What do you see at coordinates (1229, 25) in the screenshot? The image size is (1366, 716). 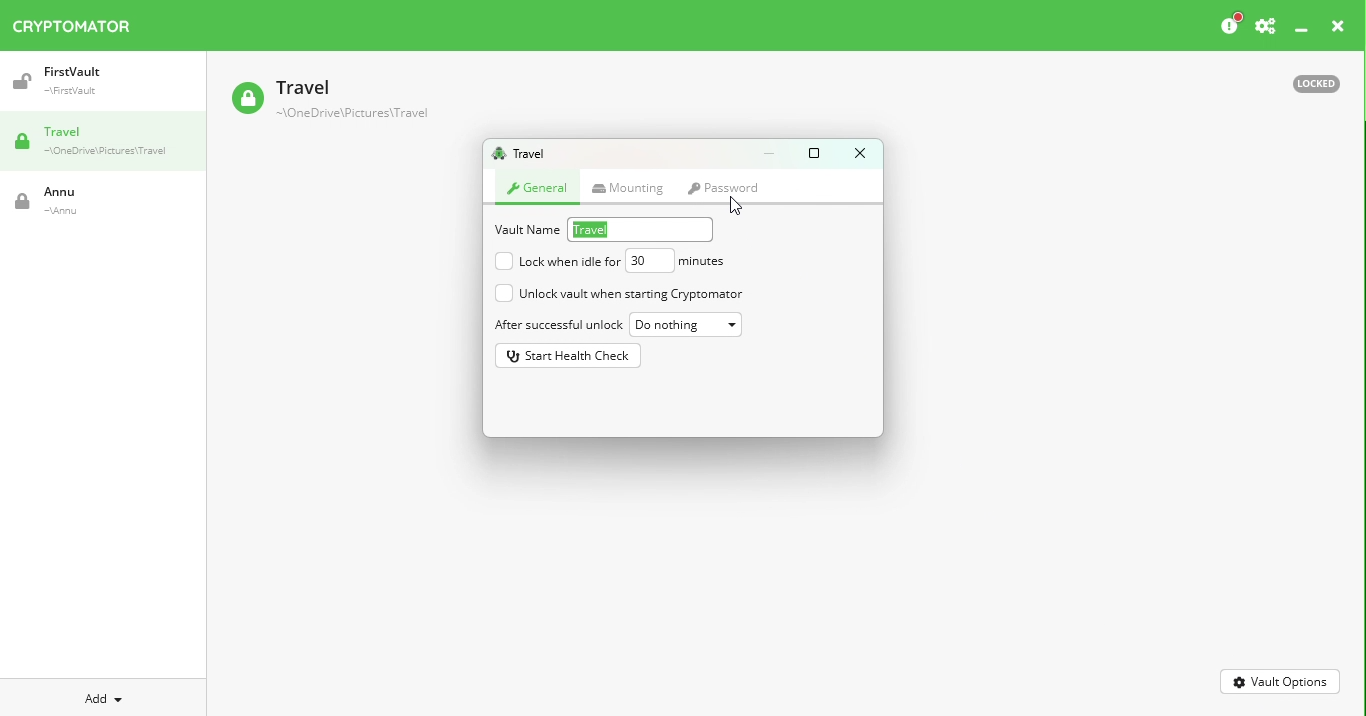 I see `Please consider donating` at bounding box center [1229, 25].